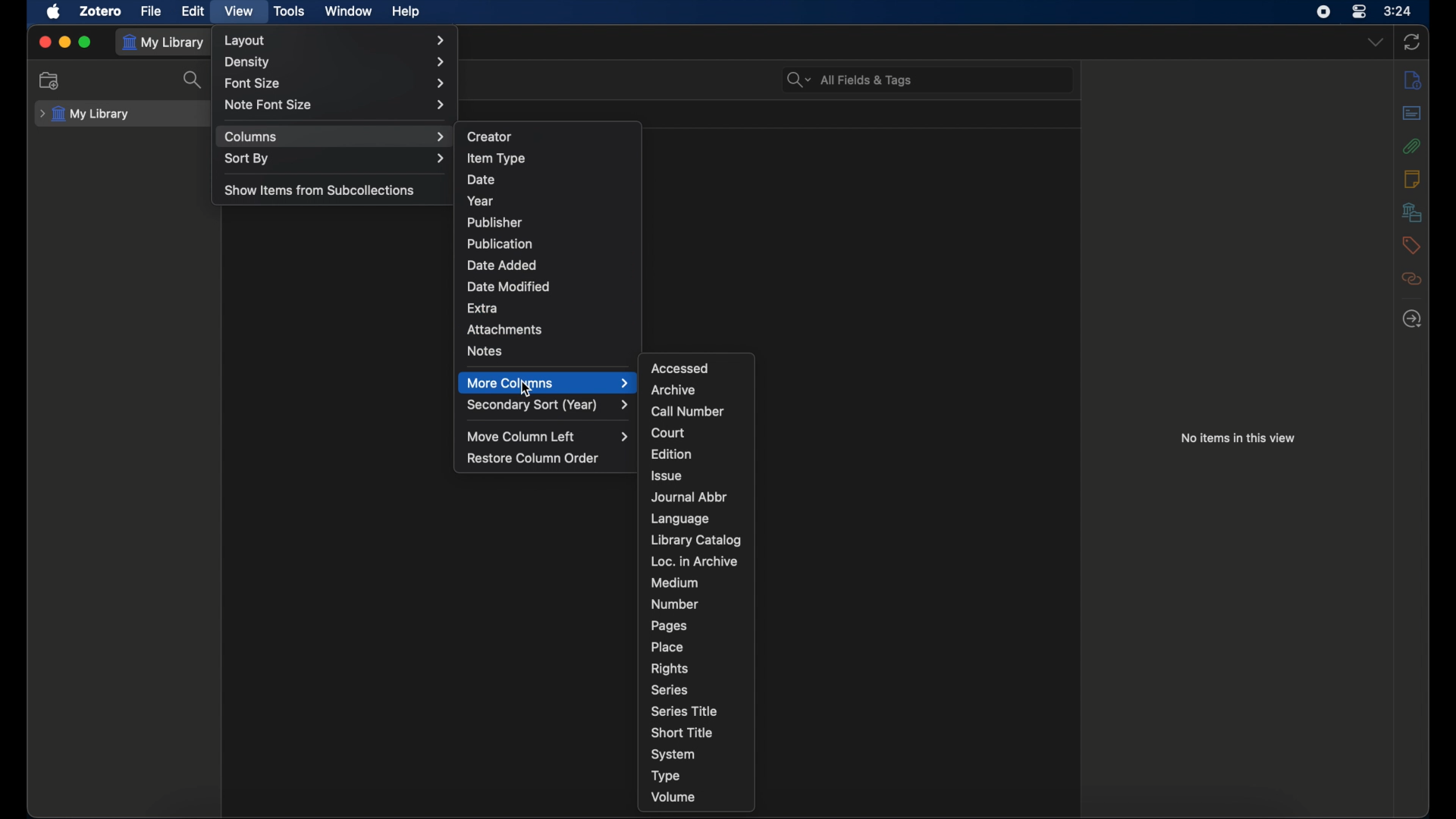  Describe the element at coordinates (695, 560) in the screenshot. I see `loc. in archive` at that location.